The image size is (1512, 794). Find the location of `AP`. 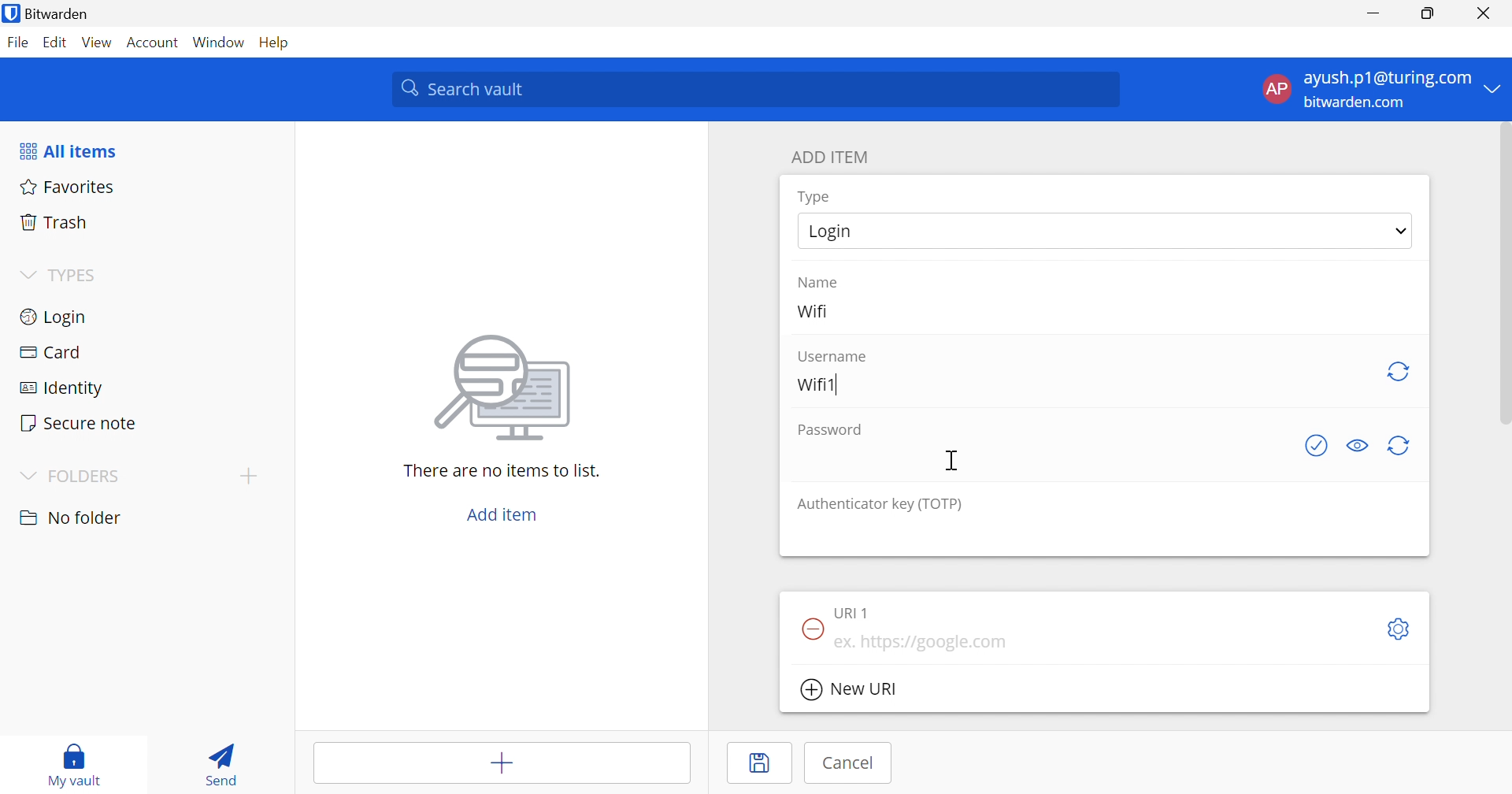

AP is located at coordinates (1275, 92).